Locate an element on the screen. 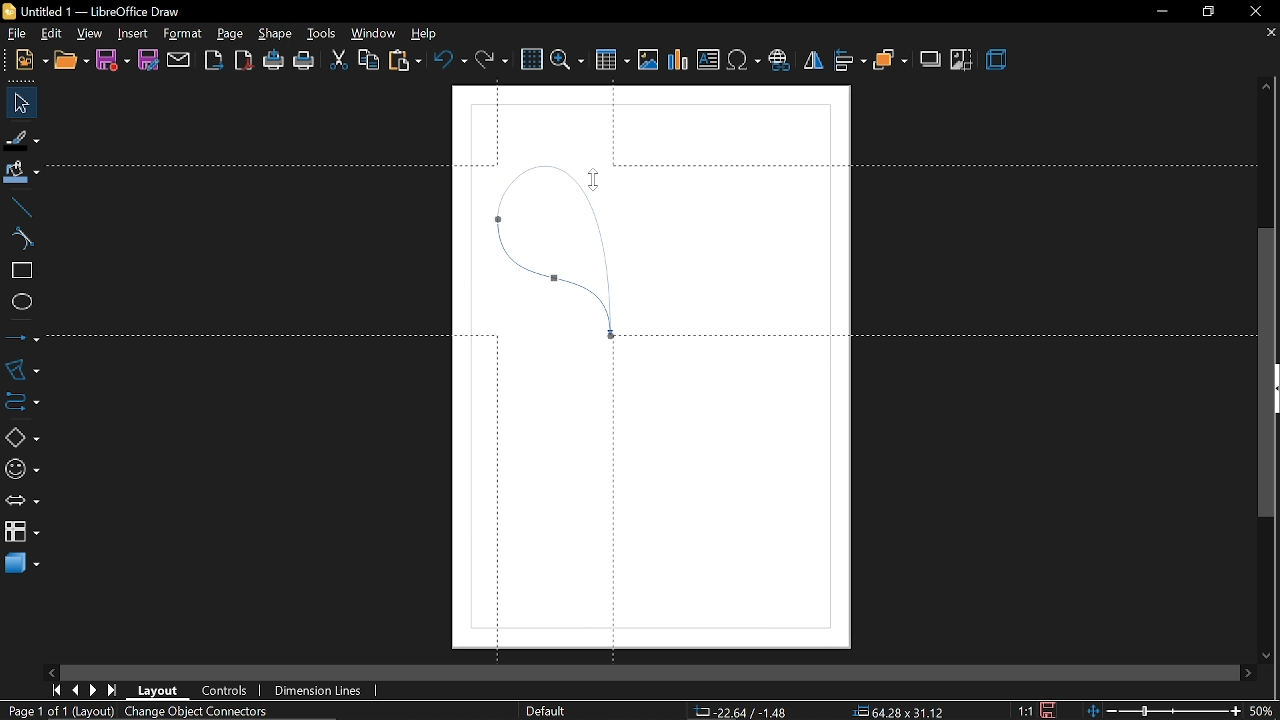 This screenshot has height=720, width=1280. controls is located at coordinates (226, 692).